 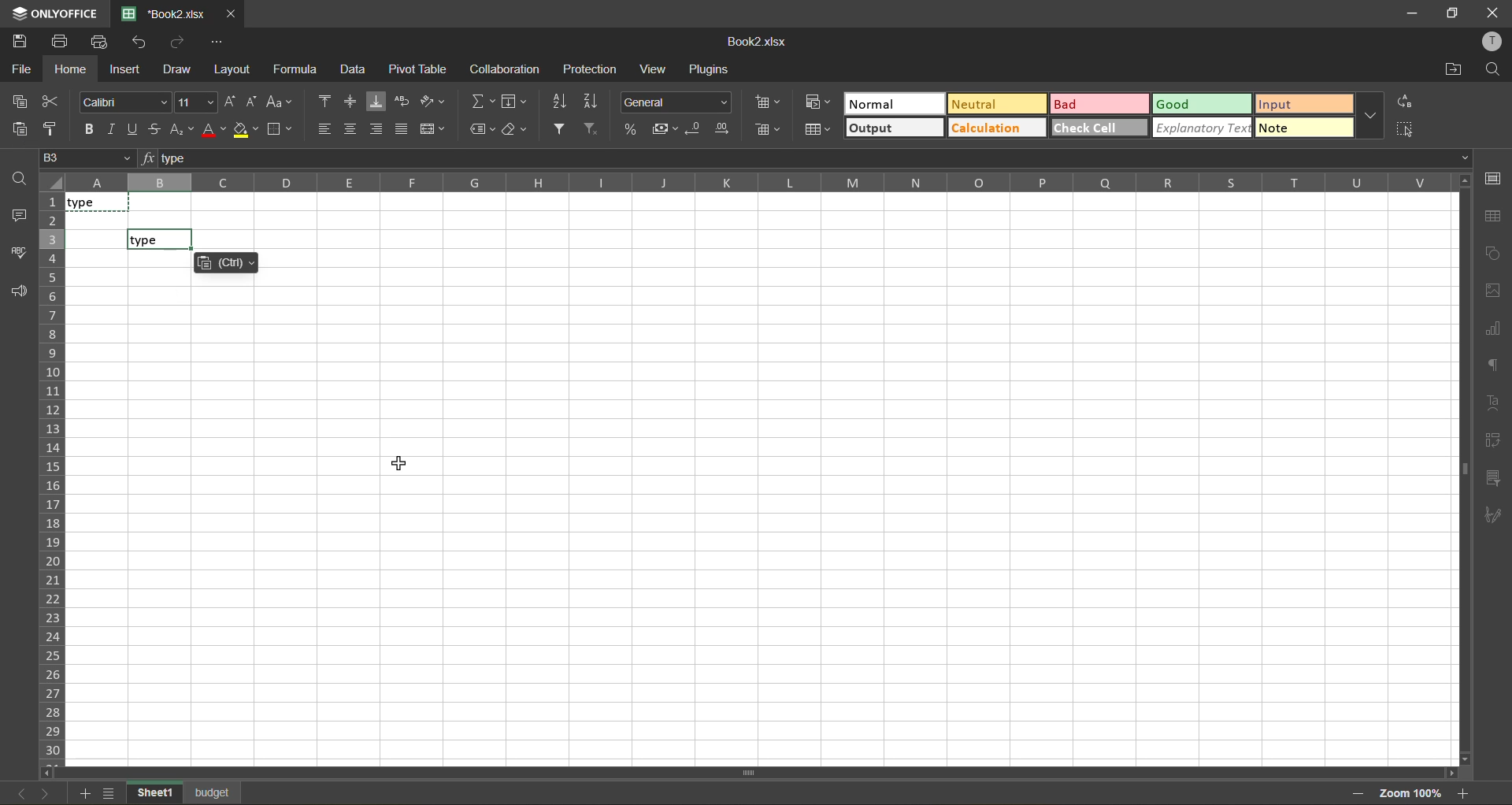 I want to click on pivot table, so click(x=1492, y=438).